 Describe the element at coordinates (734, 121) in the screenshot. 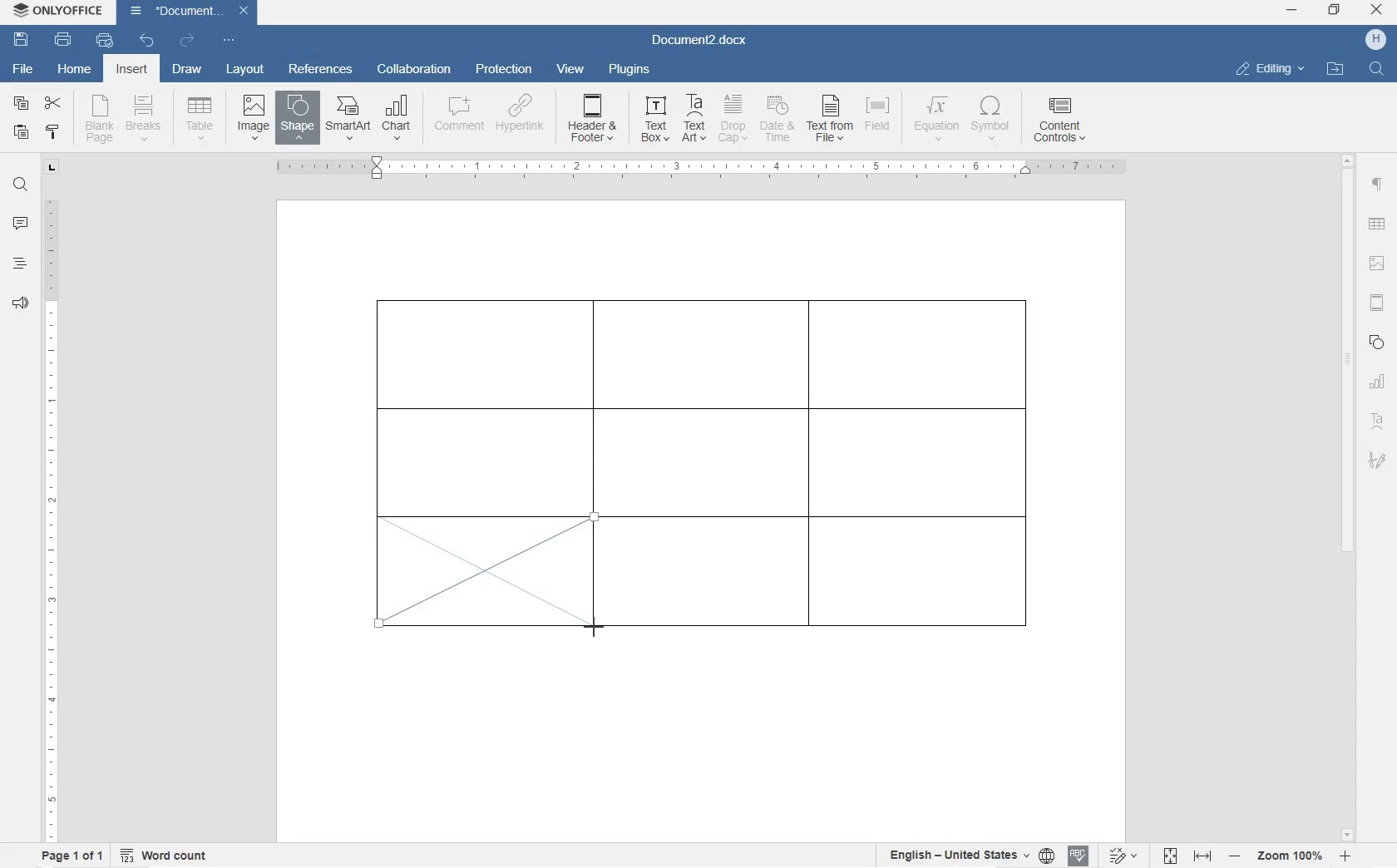

I see `DROP CAP` at that location.